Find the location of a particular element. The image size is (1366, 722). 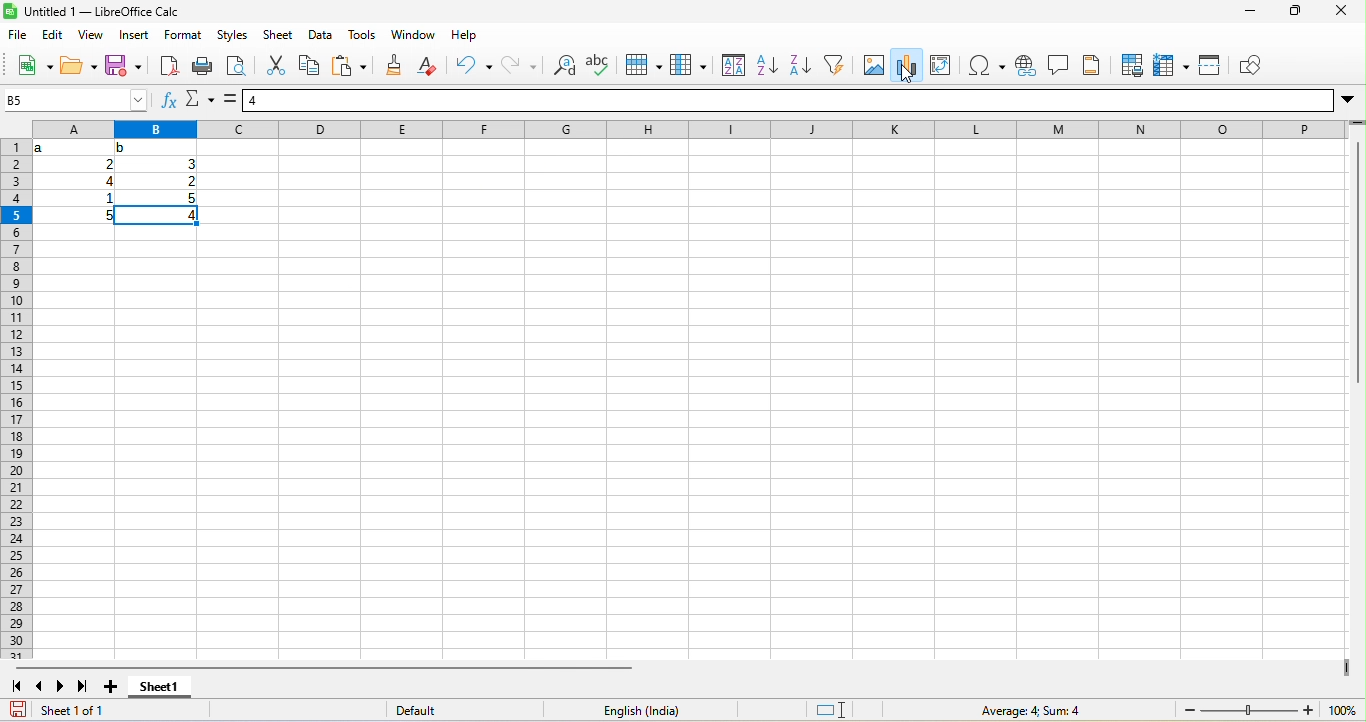

hyperlink is located at coordinates (1025, 66).